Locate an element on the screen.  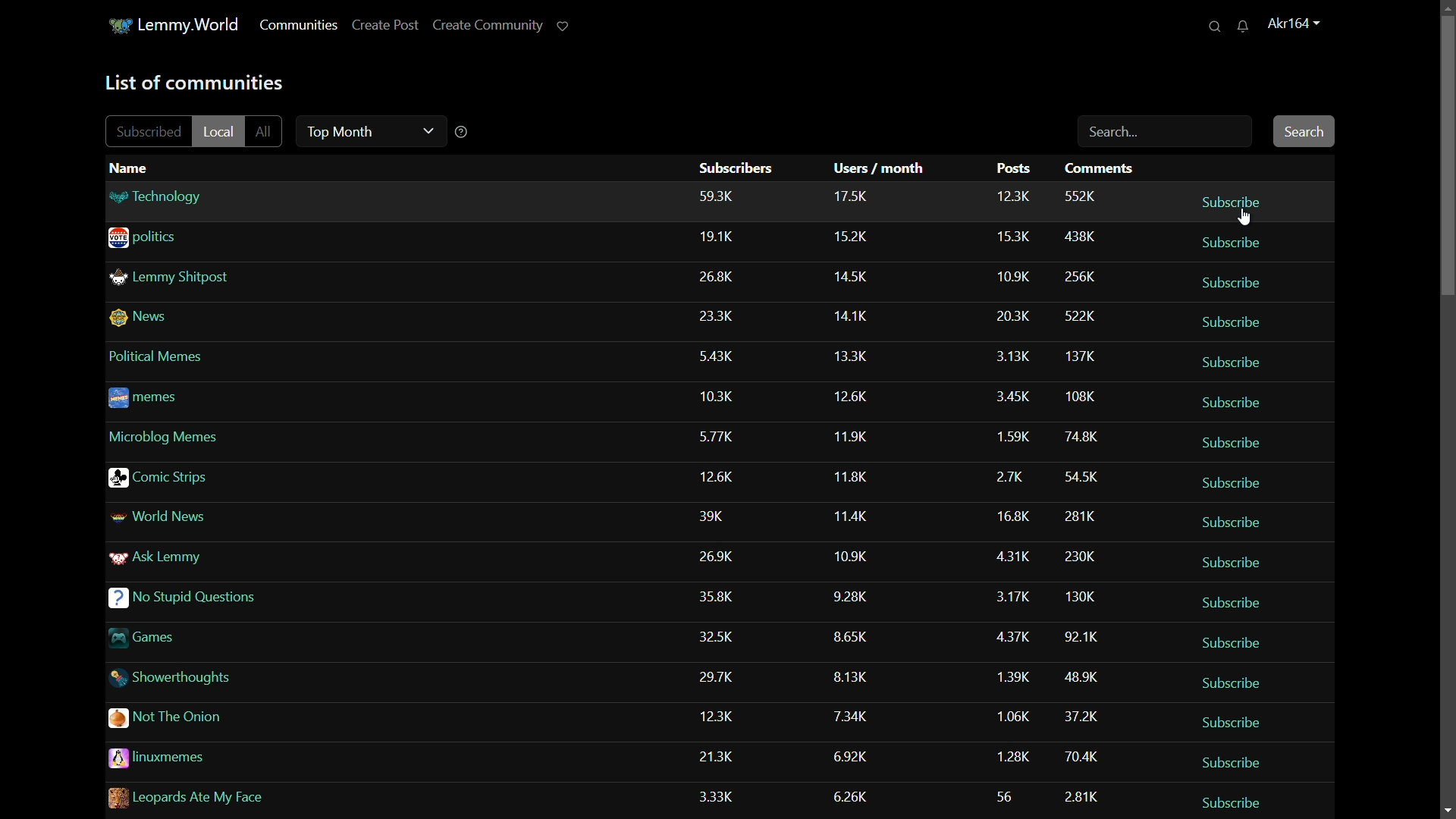
user per month is located at coordinates (858, 237).